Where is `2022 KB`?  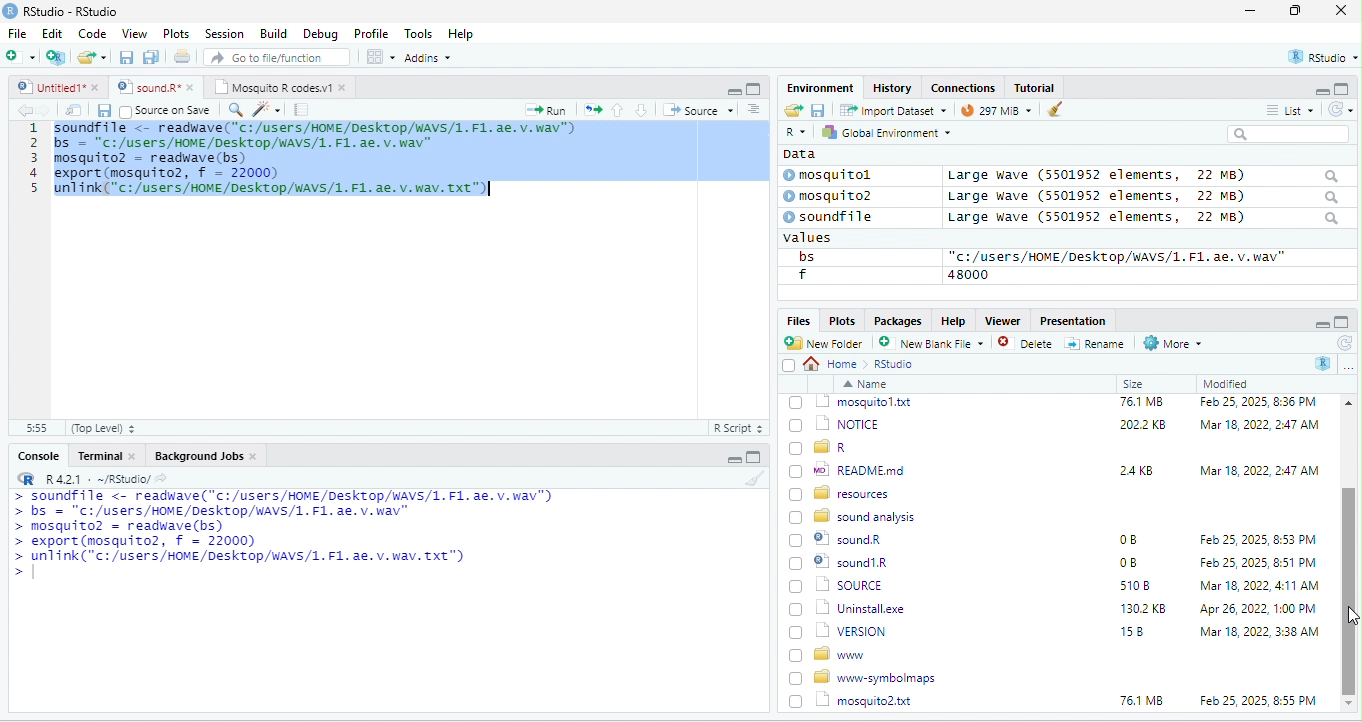
2022 KB is located at coordinates (1144, 545).